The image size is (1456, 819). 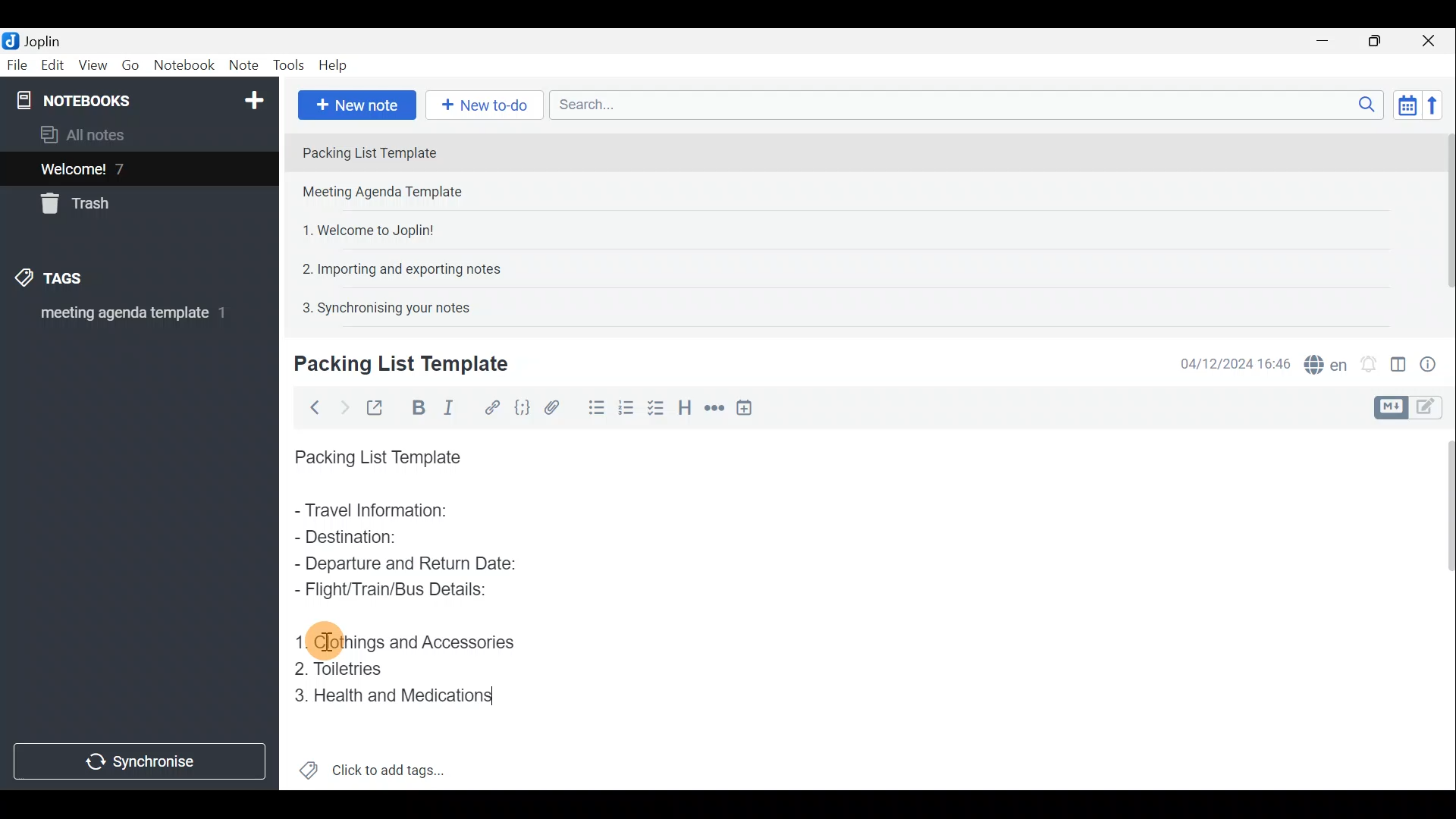 I want to click on Code, so click(x=522, y=406).